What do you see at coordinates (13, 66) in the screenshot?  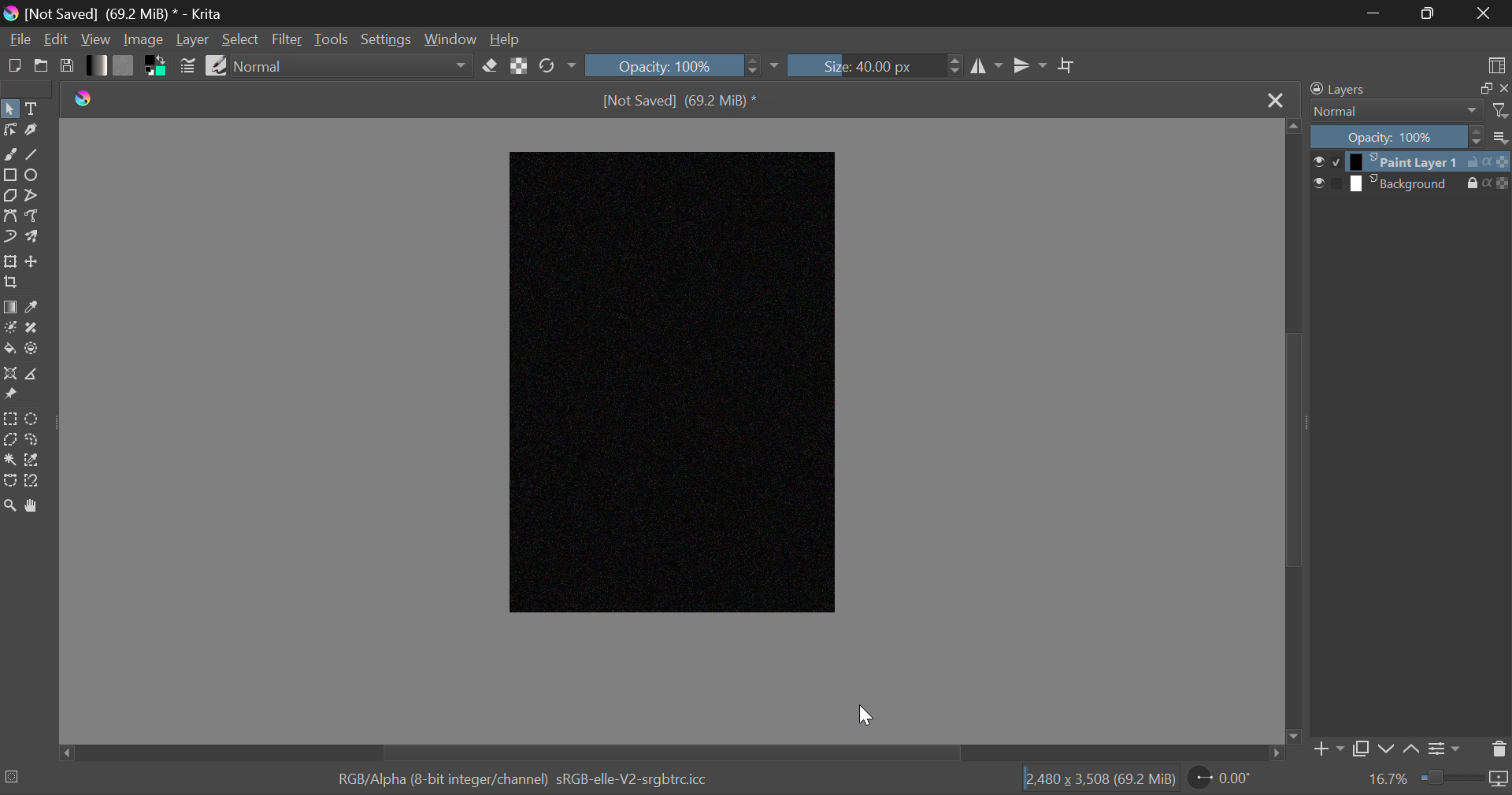 I see `New` at bounding box center [13, 66].